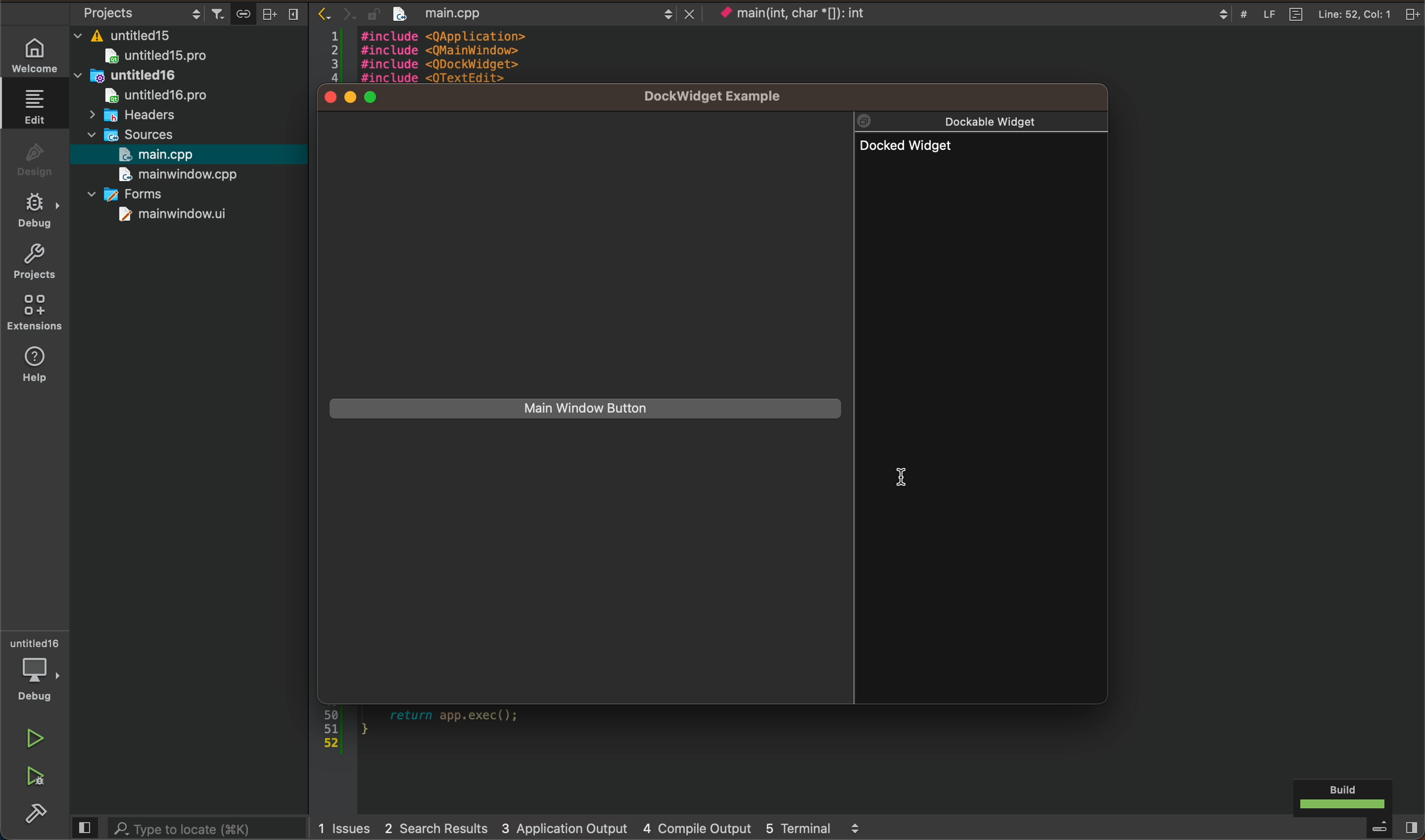 This screenshot has width=1425, height=840. Describe the element at coordinates (284, 13) in the screenshot. I see `close bar` at that location.